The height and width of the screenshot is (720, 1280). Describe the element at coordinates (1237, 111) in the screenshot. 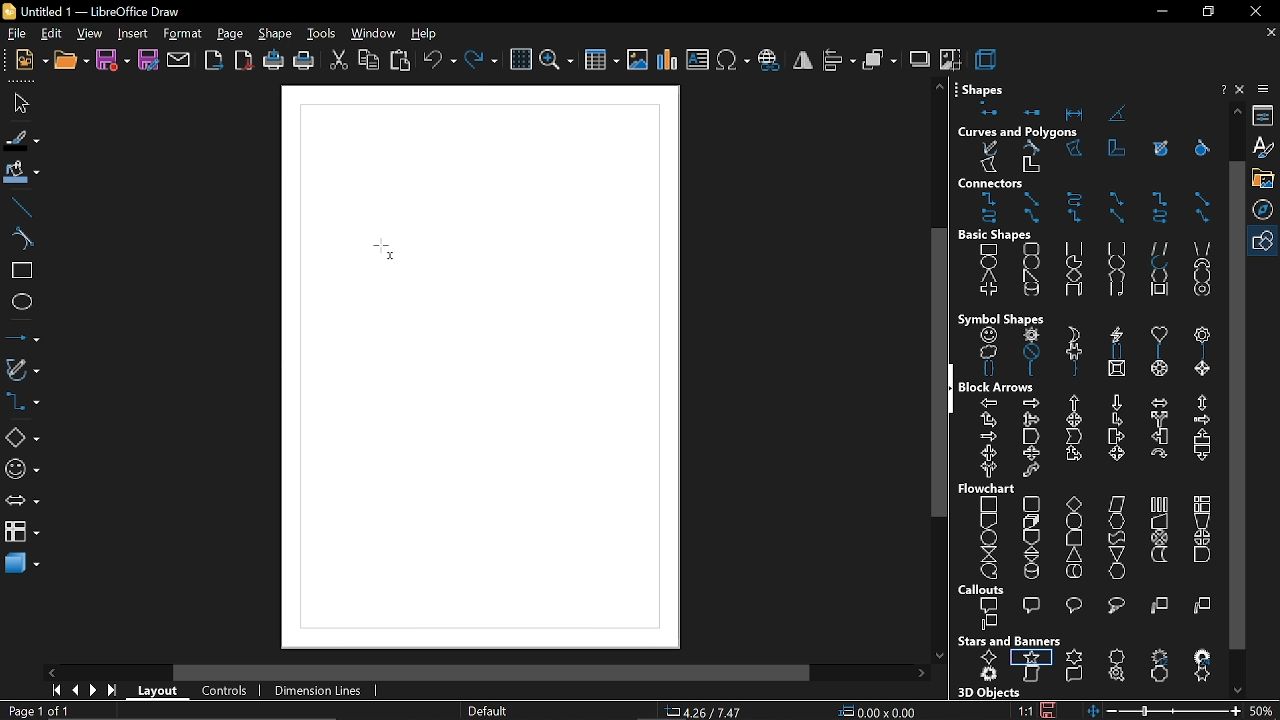

I see `move up` at that location.